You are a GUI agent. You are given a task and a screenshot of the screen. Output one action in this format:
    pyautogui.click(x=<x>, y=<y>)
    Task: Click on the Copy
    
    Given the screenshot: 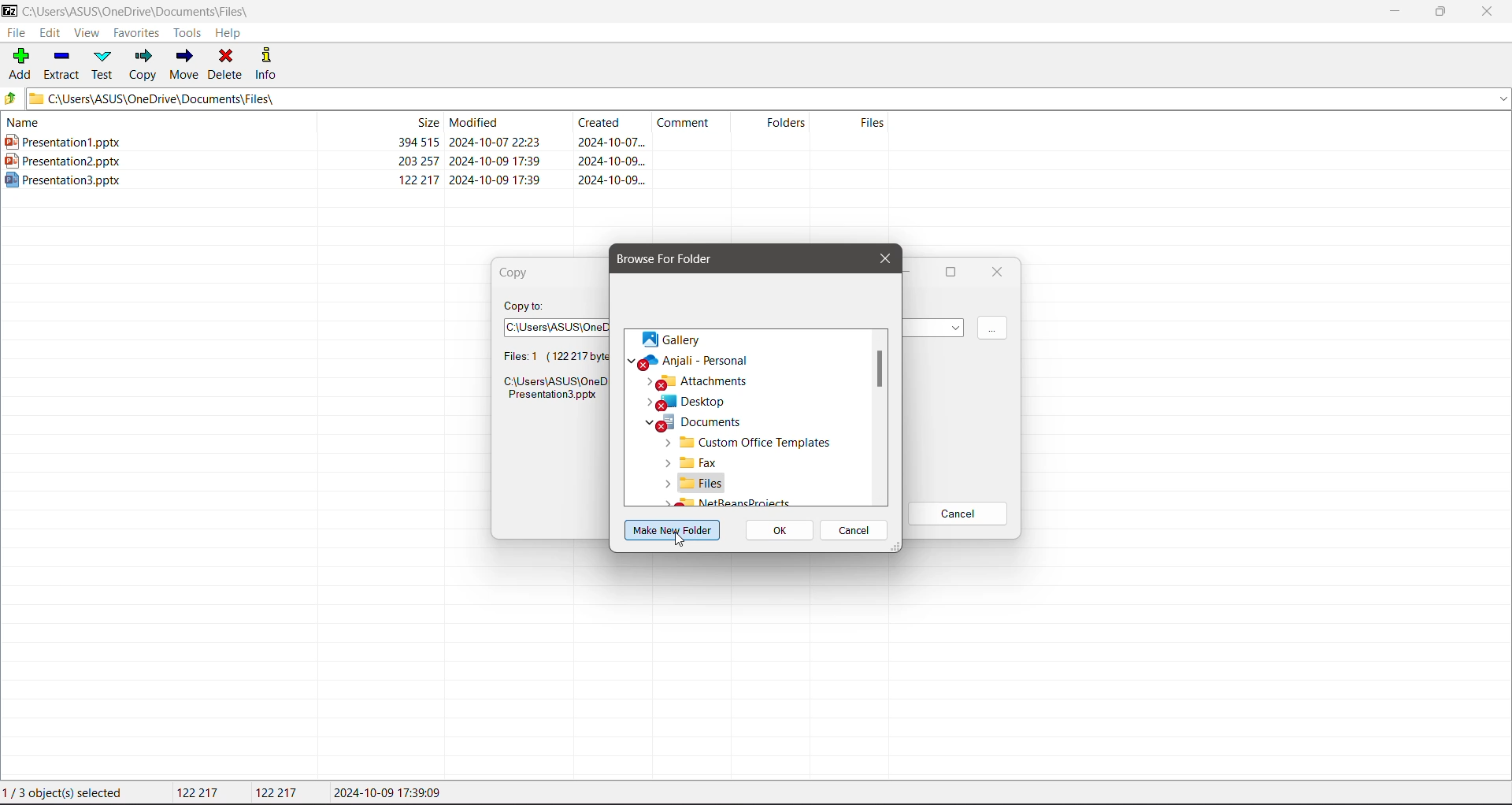 What is the action you would take?
    pyautogui.click(x=520, y=273)
    